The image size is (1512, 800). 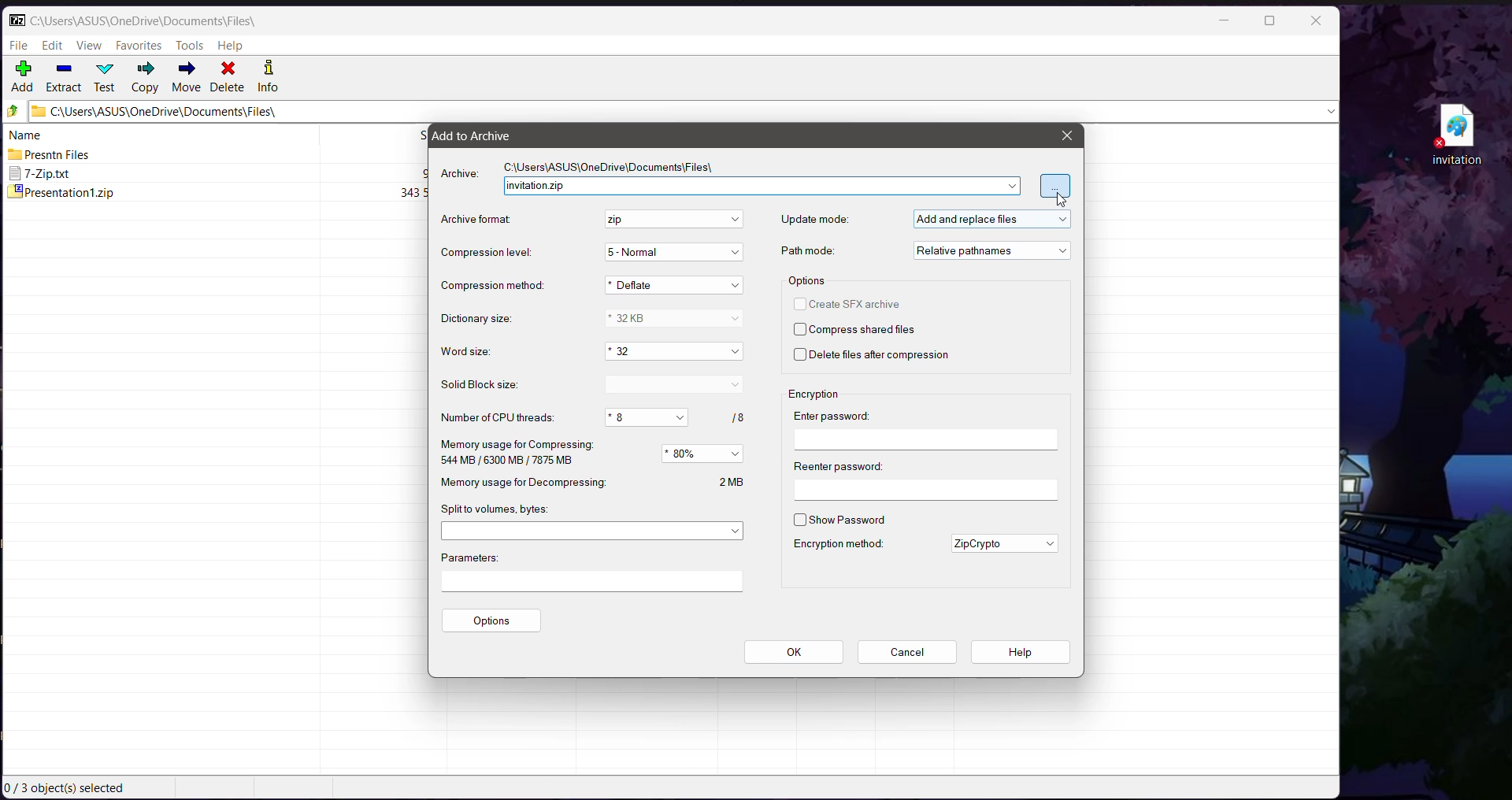 I want to click on Click to Browse for more locations, so click(x=1056, y=186).